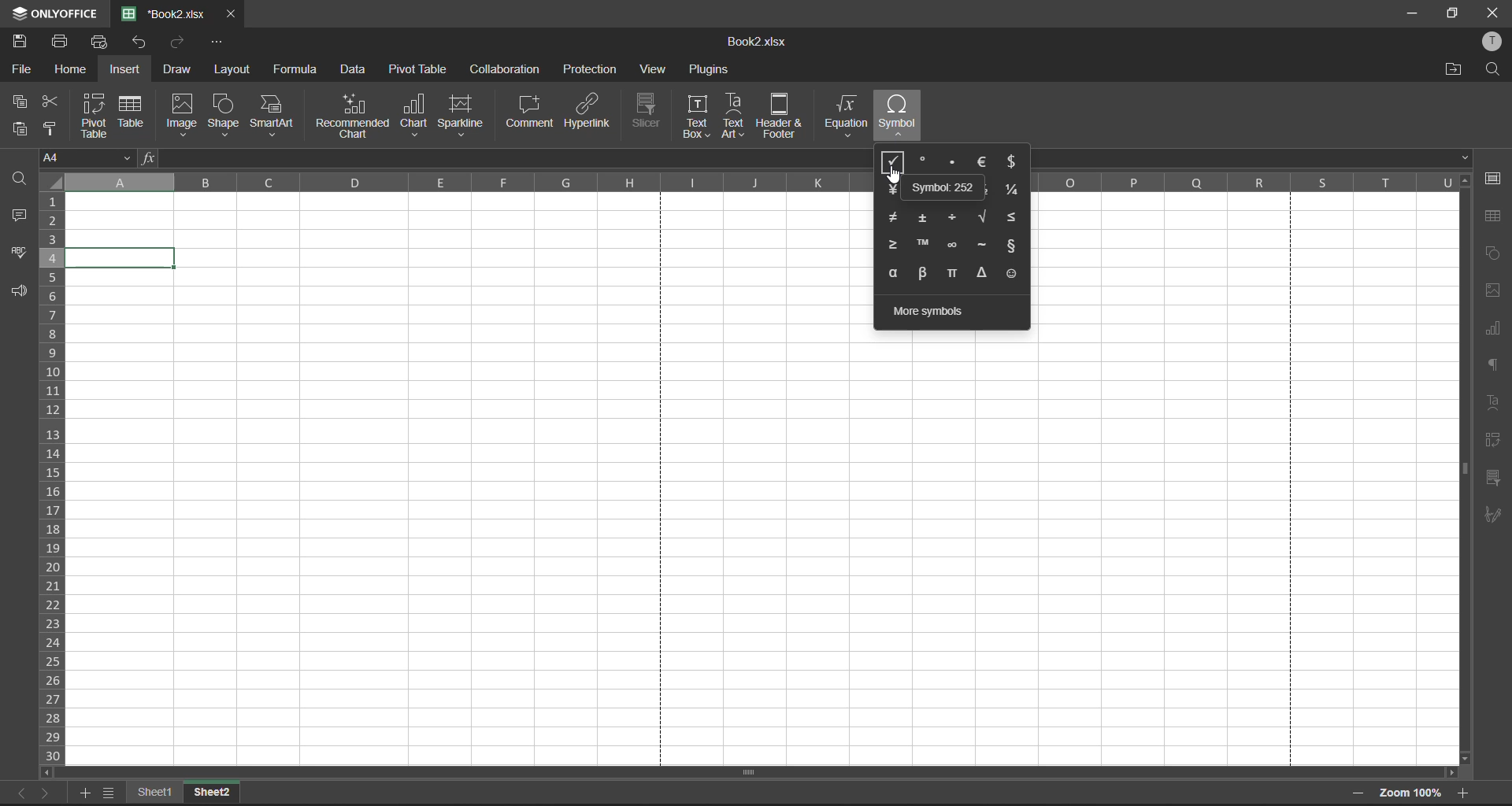 Image resolution: width=1512 pixels, height=806 pixels. What do you see at coordinates (234, 72) in the screenshot?
I see `layout` at bounding box center [234, 72].